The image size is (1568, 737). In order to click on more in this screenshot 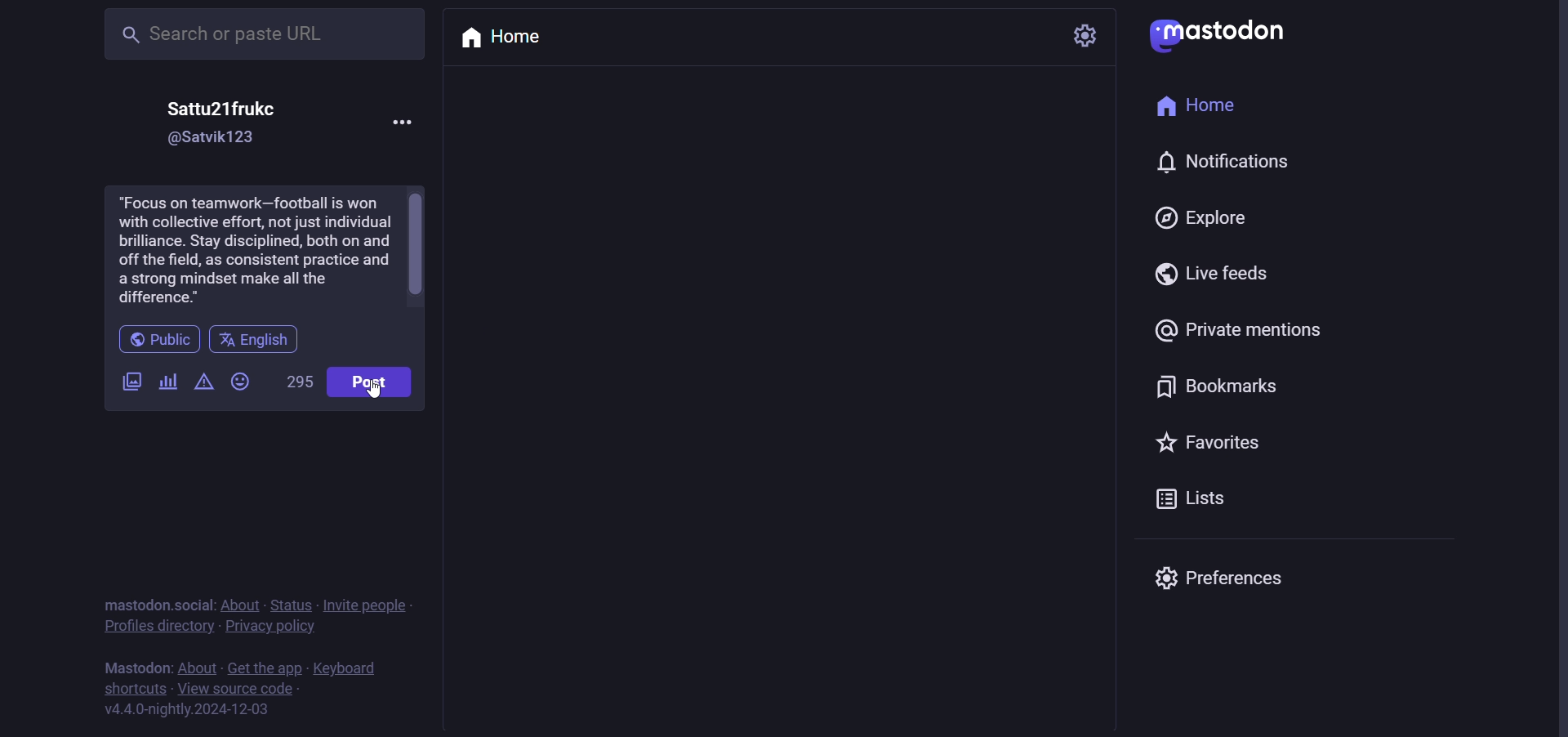, I will do `click(403, 123)`.